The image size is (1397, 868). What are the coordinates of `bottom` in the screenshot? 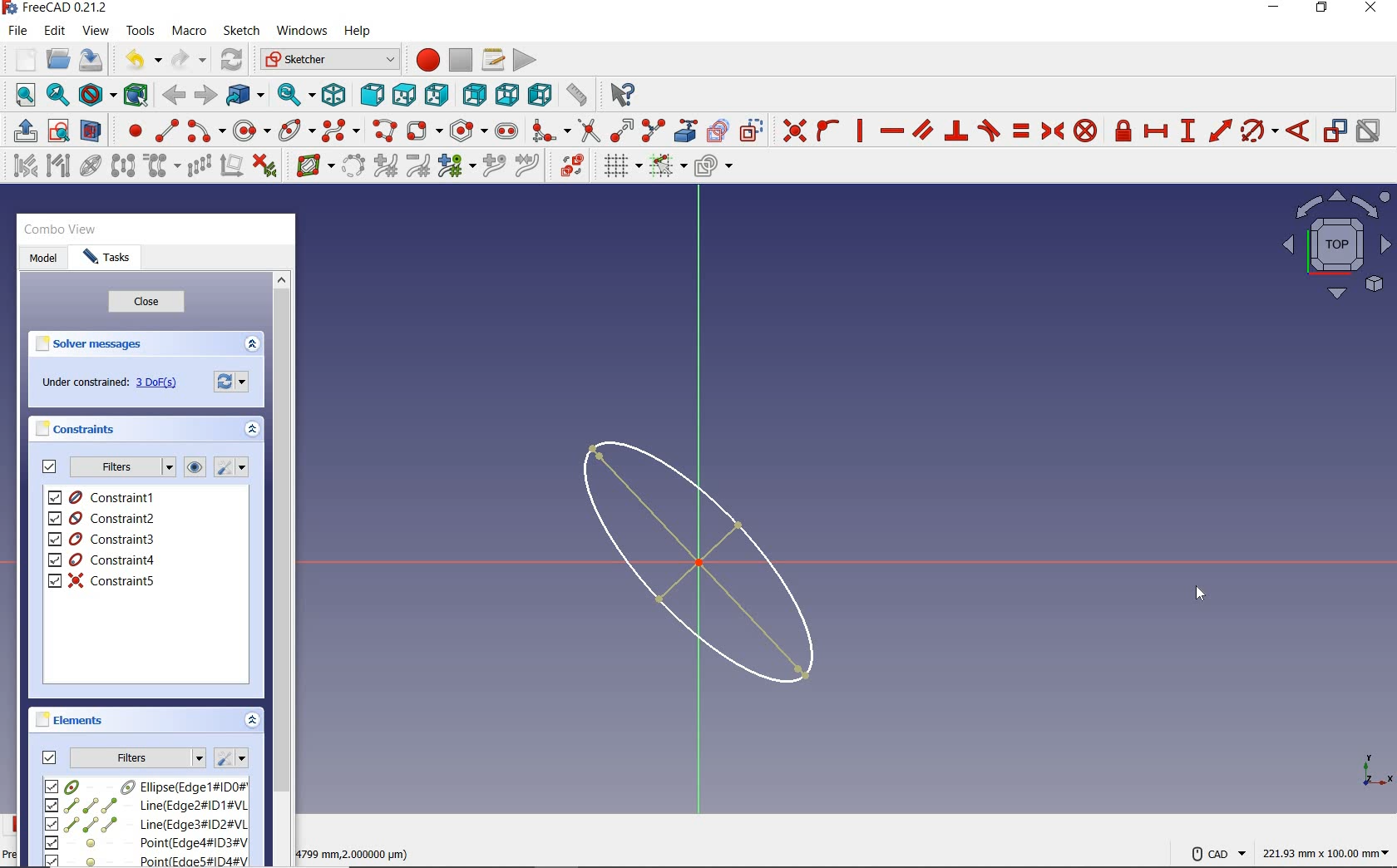 It's located at (507, 92).